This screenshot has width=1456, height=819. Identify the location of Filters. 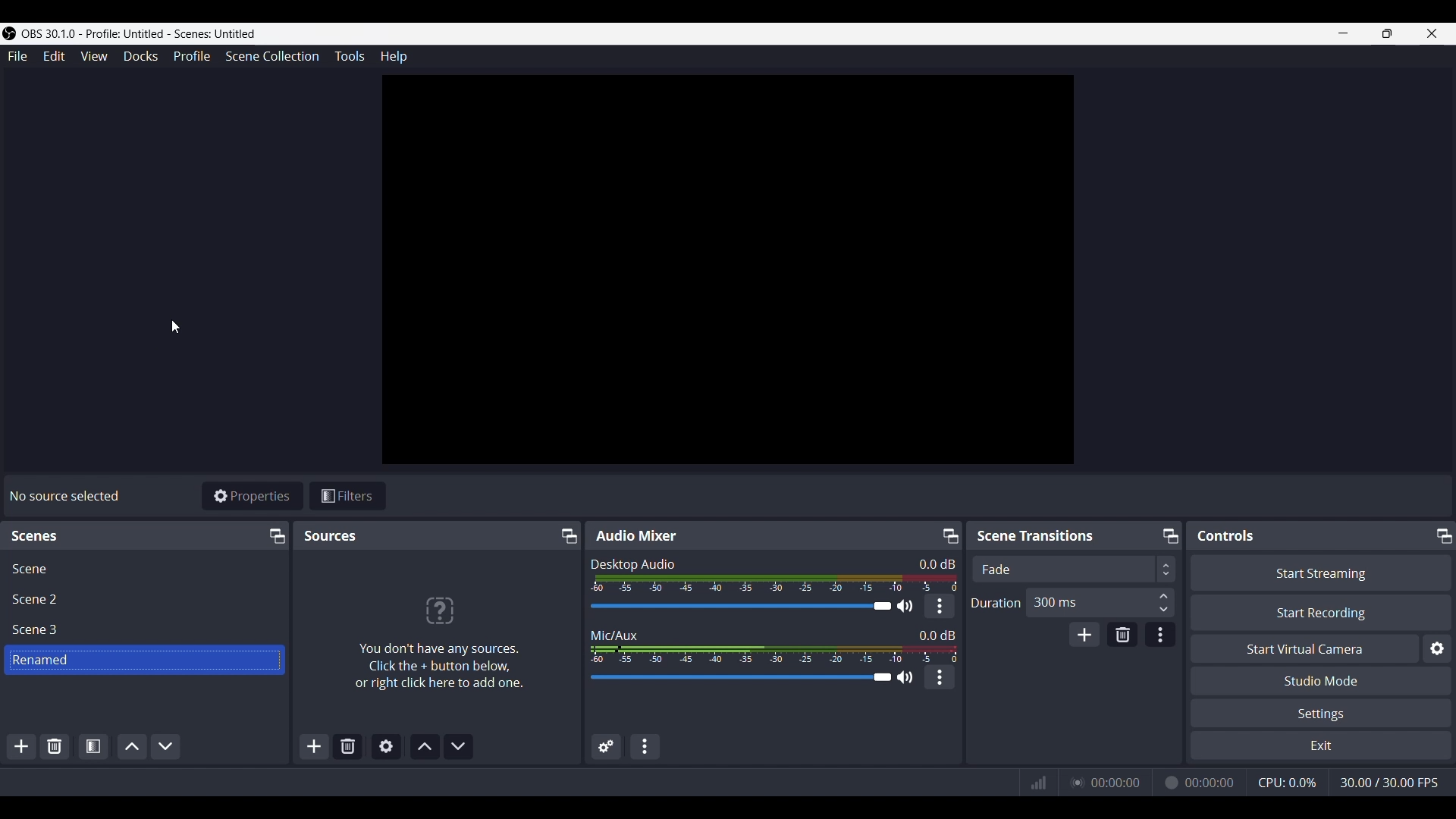
(348, 495).